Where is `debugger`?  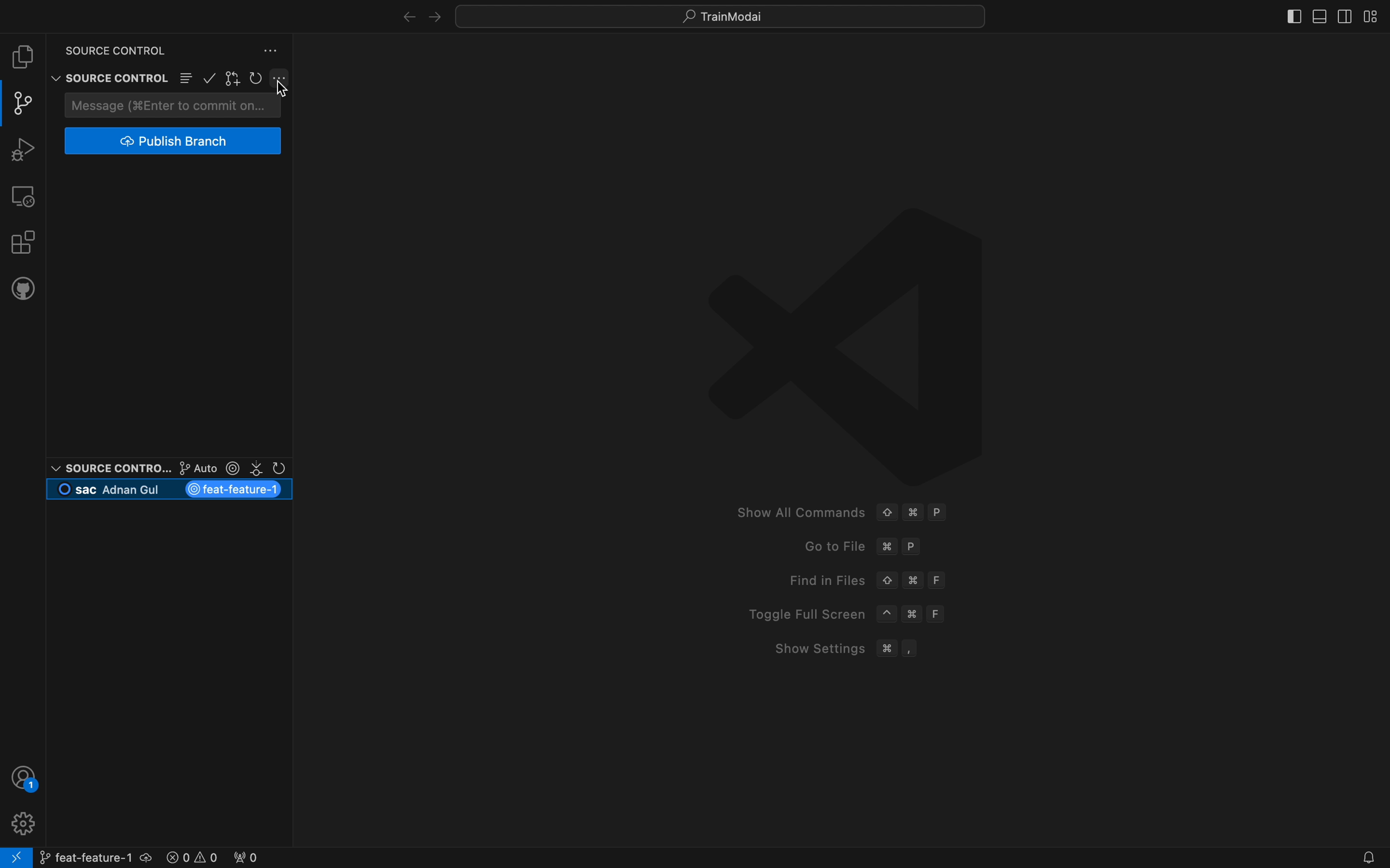
debugger is located at coordinates (22, 148).